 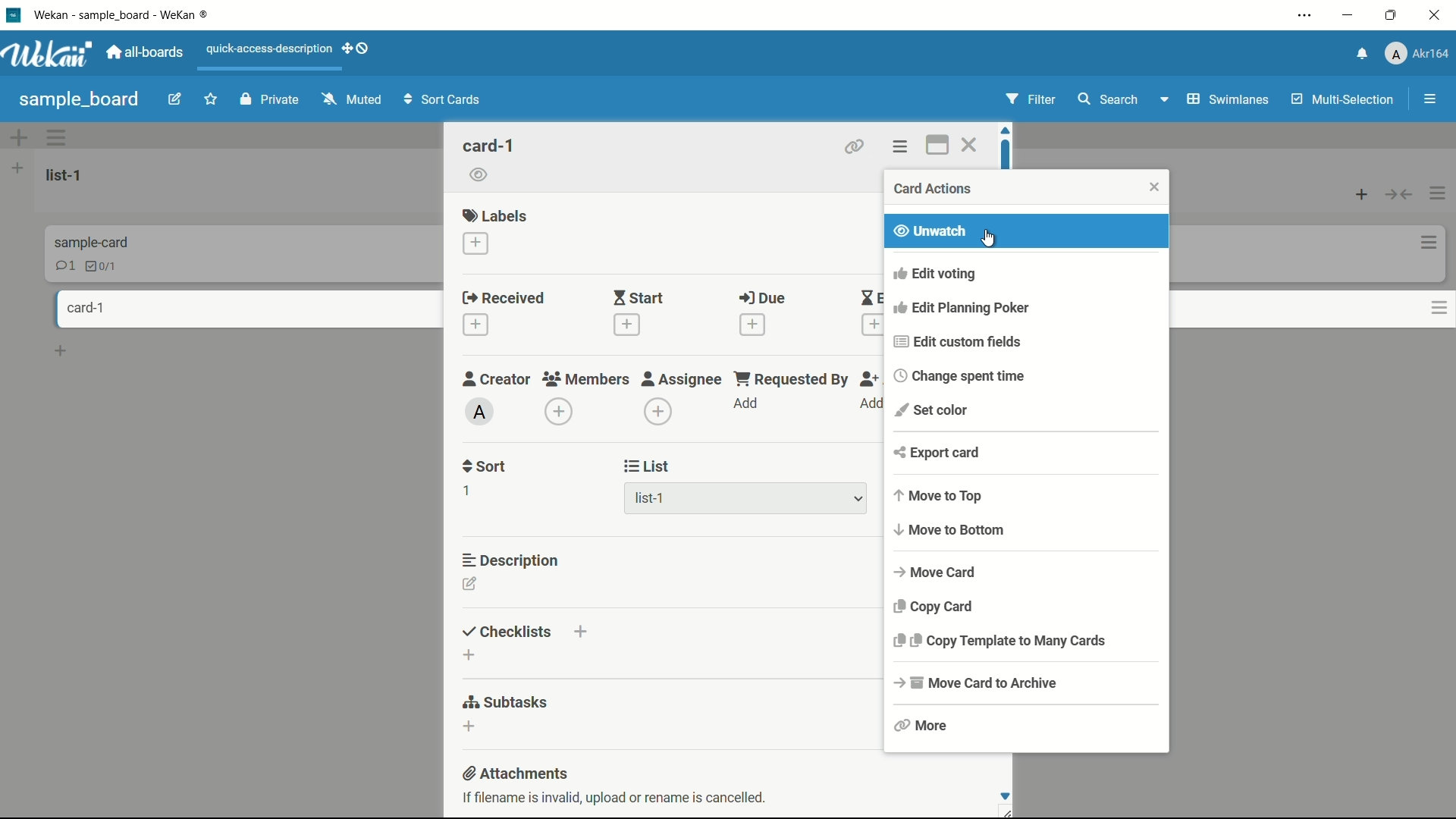 What do you see at coordinates (145, 53) in the screenshot?
I see `all-boards` at bounding box center [145, 53].